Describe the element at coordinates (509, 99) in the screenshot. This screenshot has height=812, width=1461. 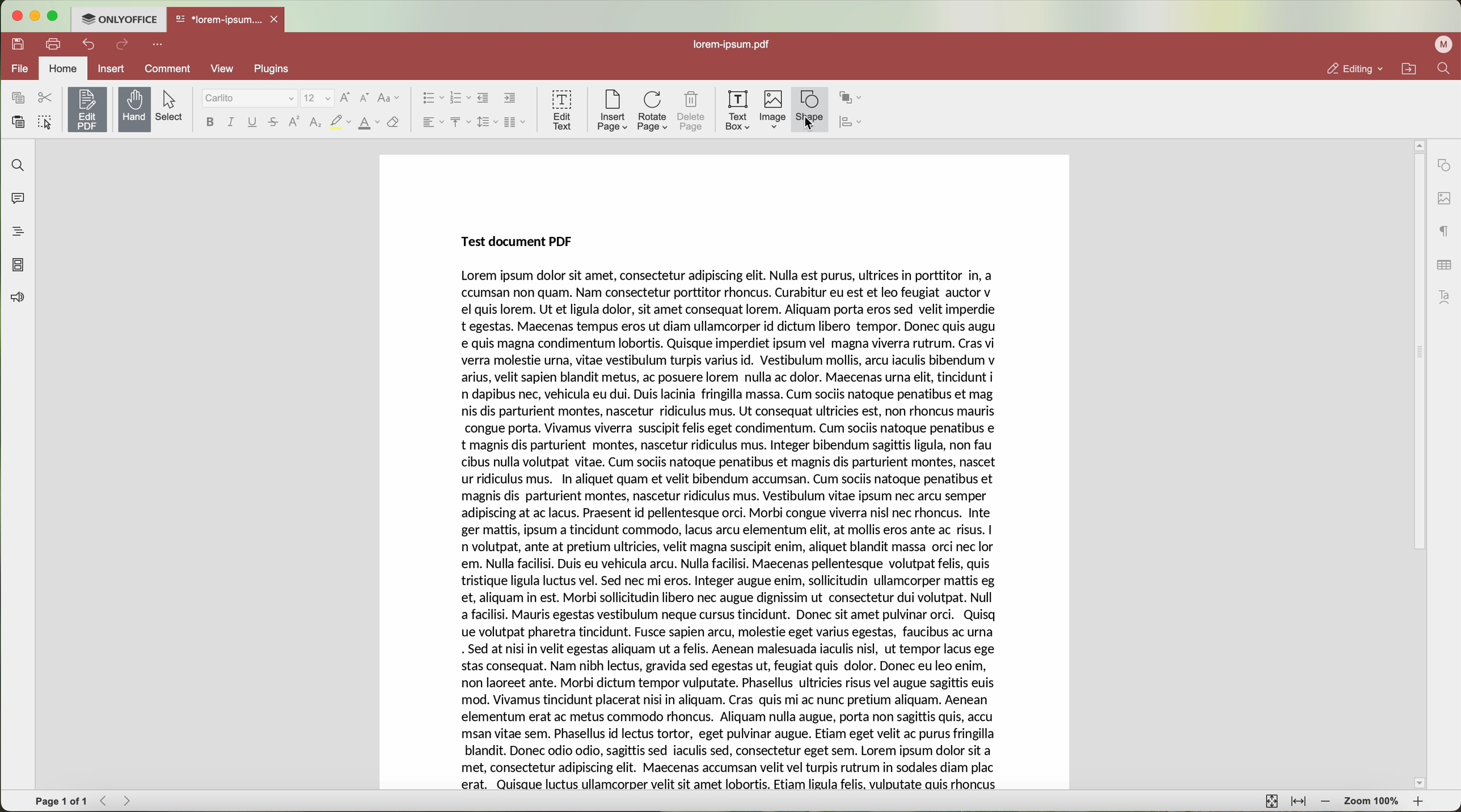
I see `increase indent` at that location.